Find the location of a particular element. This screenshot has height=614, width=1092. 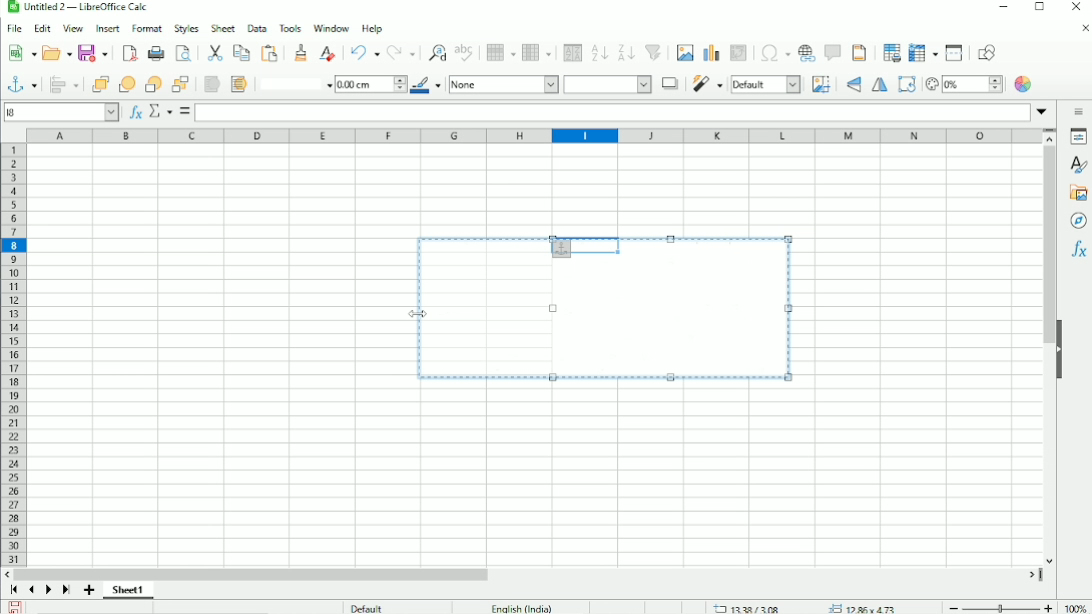

Restore down is located at coordinates (1039, 10).